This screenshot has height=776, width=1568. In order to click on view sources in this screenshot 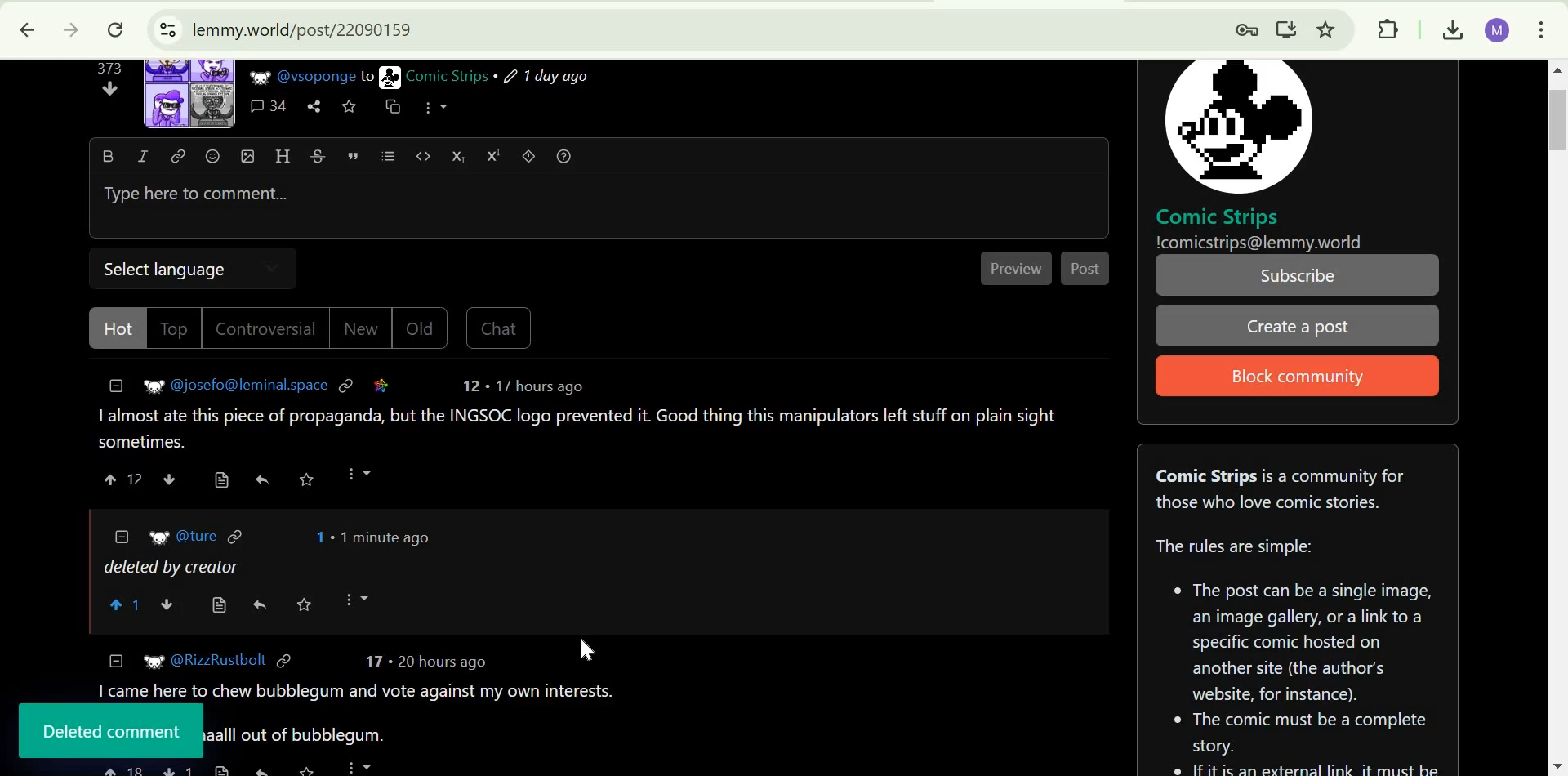, I will do `click(220, 606)`.